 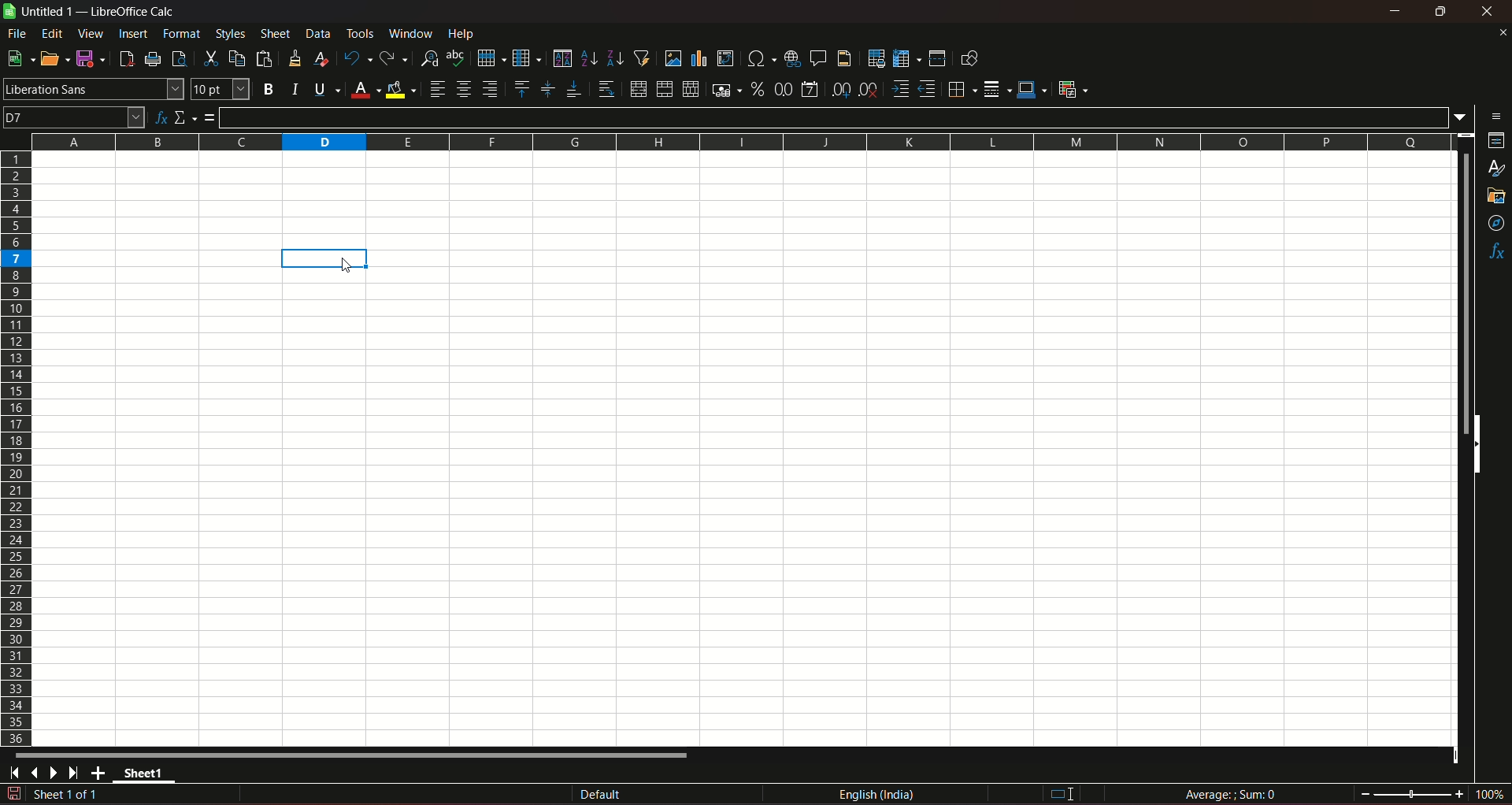 I want to click on unmerge, so click(x=689, y=90).